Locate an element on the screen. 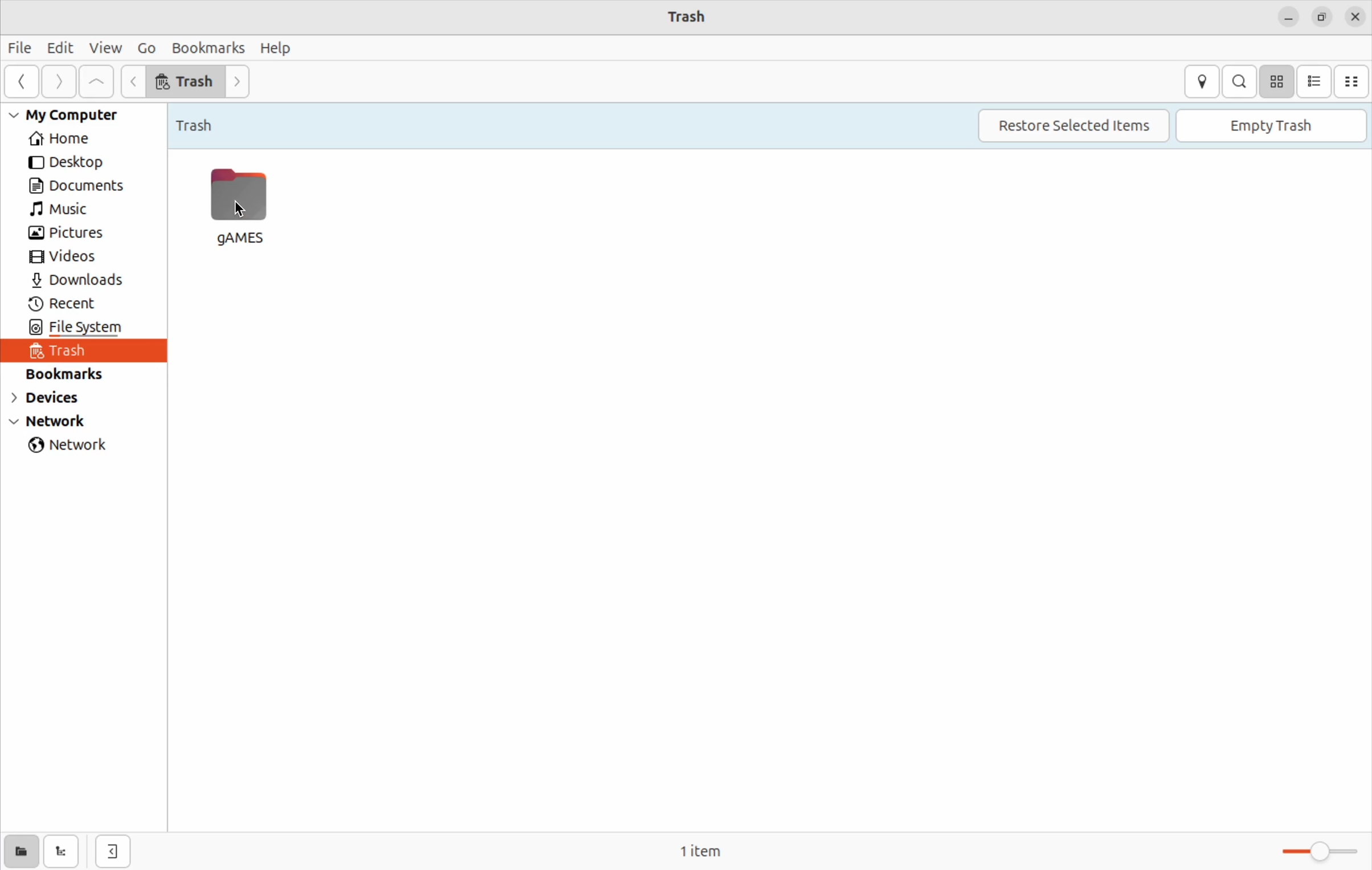 The width and height of the screenshot is (1372, 870). network is located at coordinates (74, 447).